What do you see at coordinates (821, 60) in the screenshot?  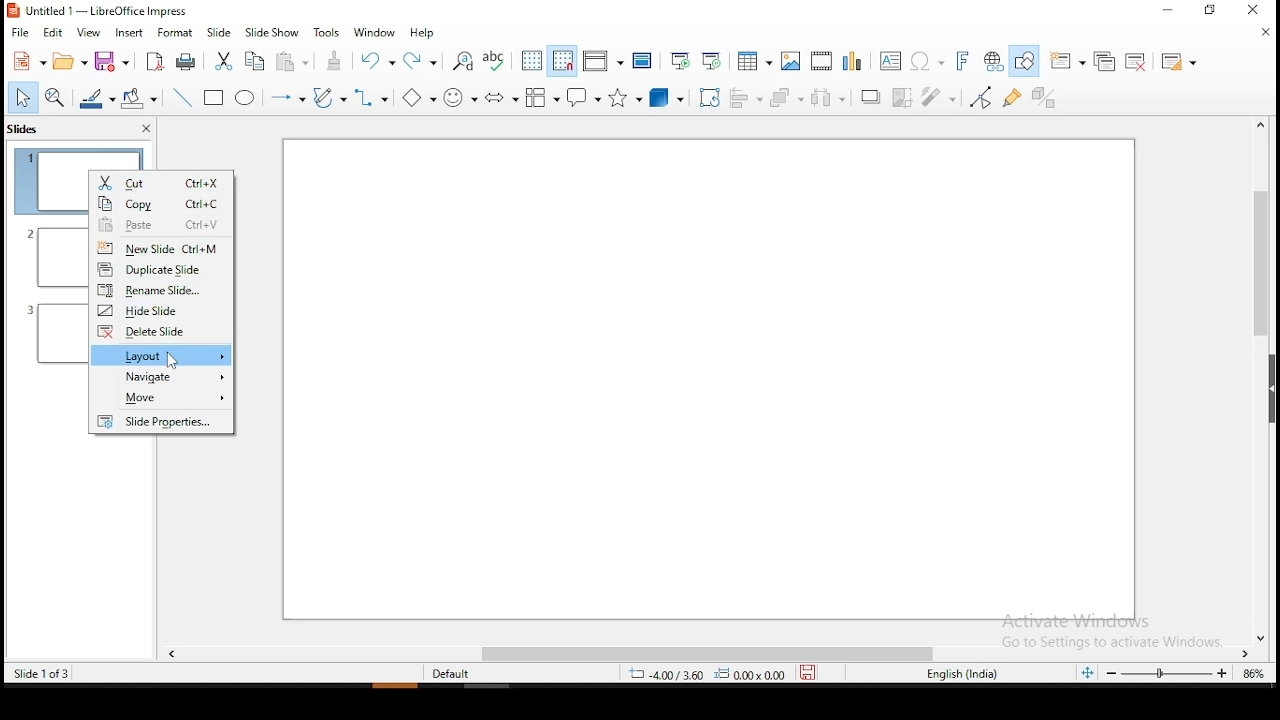 I see `insert video` at bounding box center [821, 60].